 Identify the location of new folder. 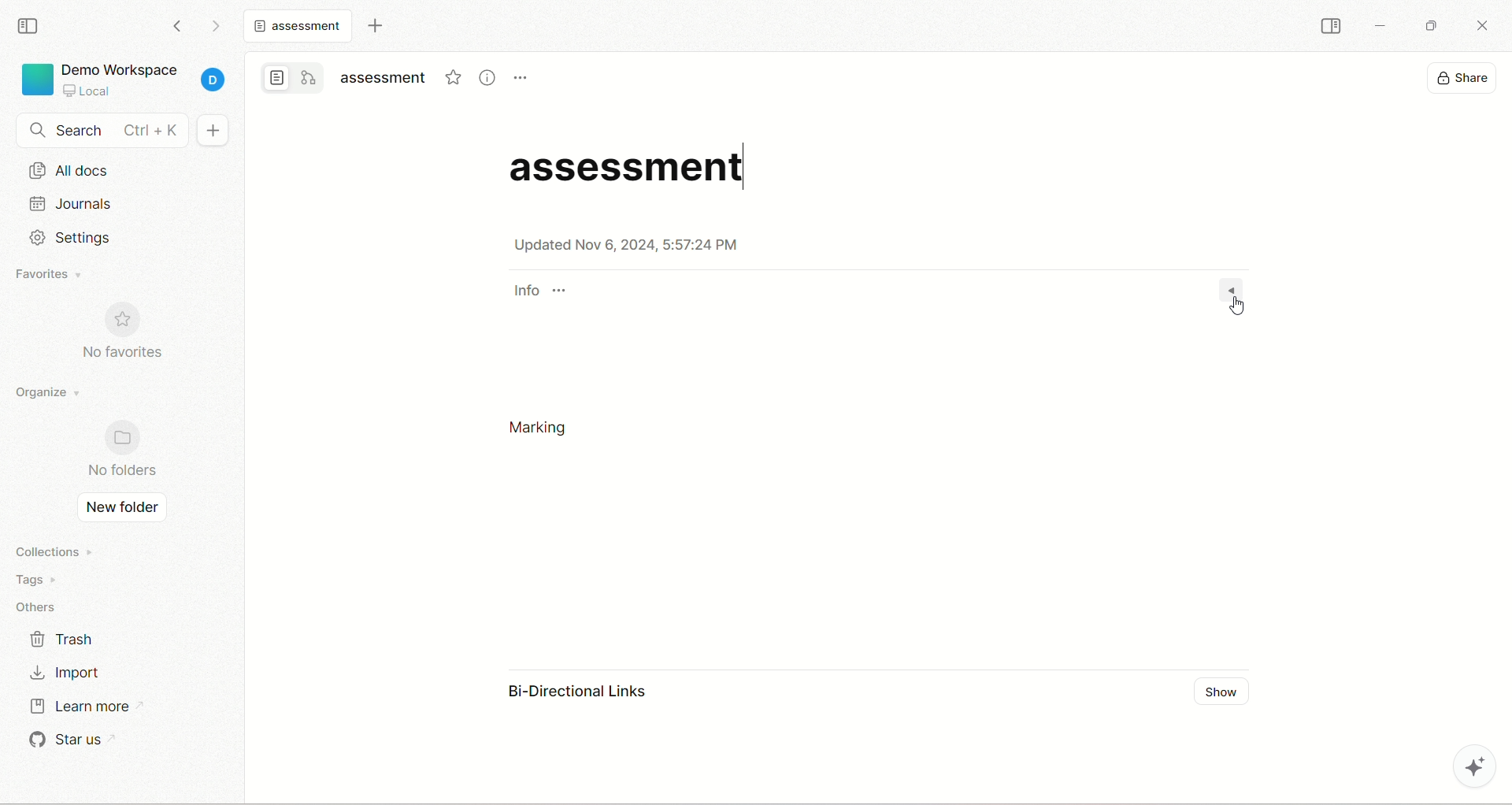
(122, 509).